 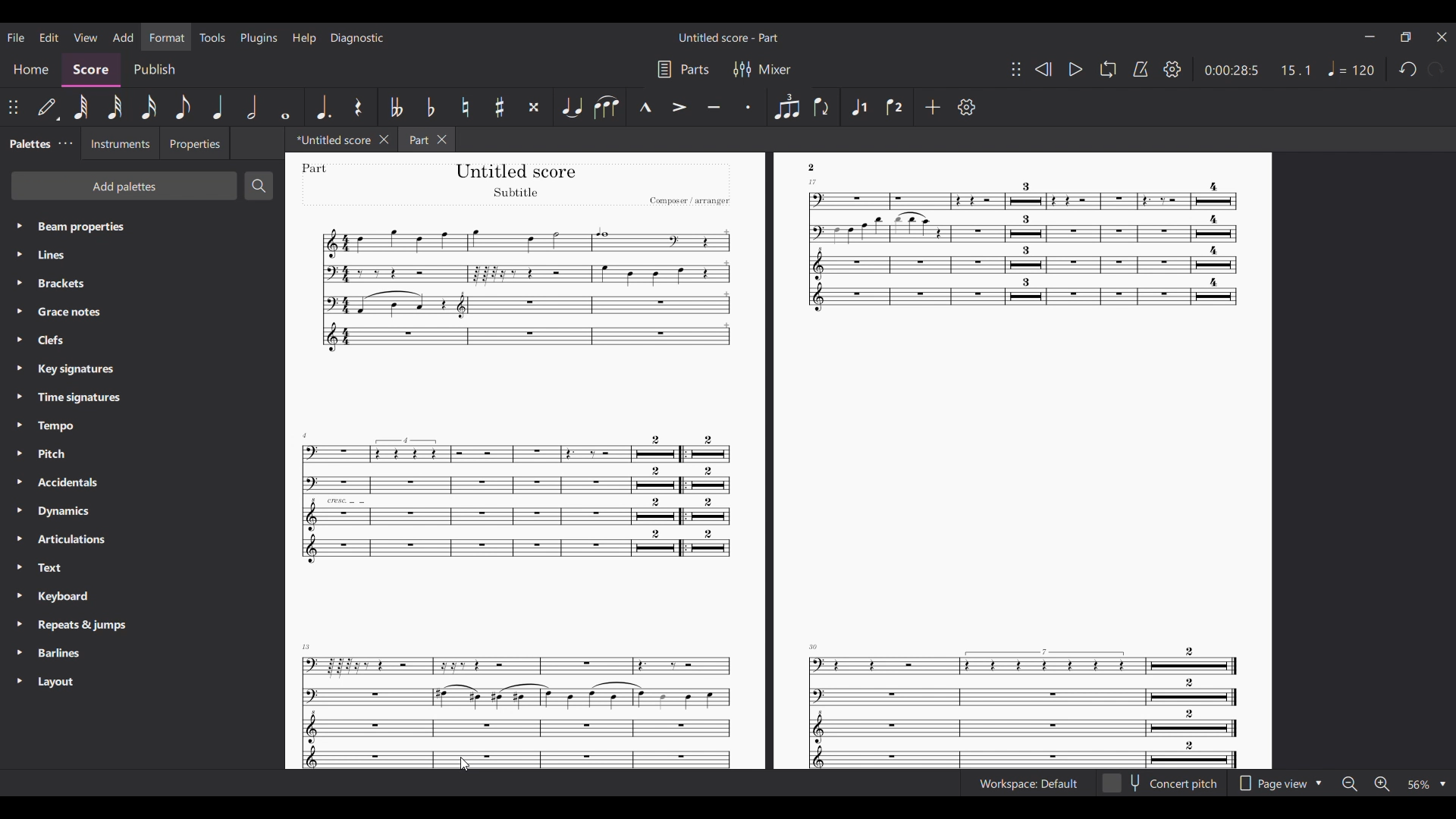 What do you see at coordinates (761, 70) in the screenshot?
I see `Mixer settings` at bounding box center [761, 70].